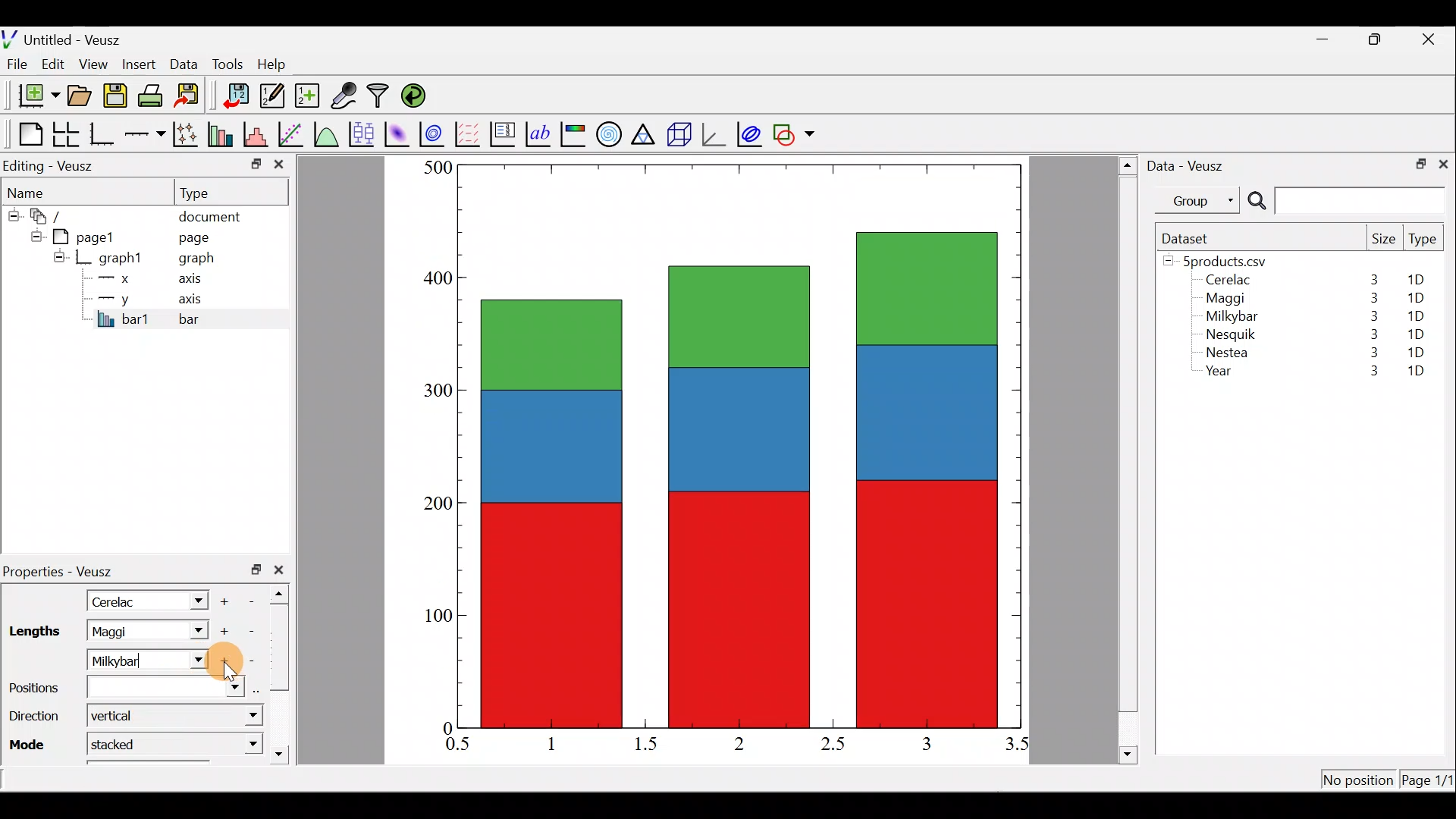  What do you see at coordinates (118, 600) in the screenshot?
I see `Cerelac` at bounding box center [118, 600].